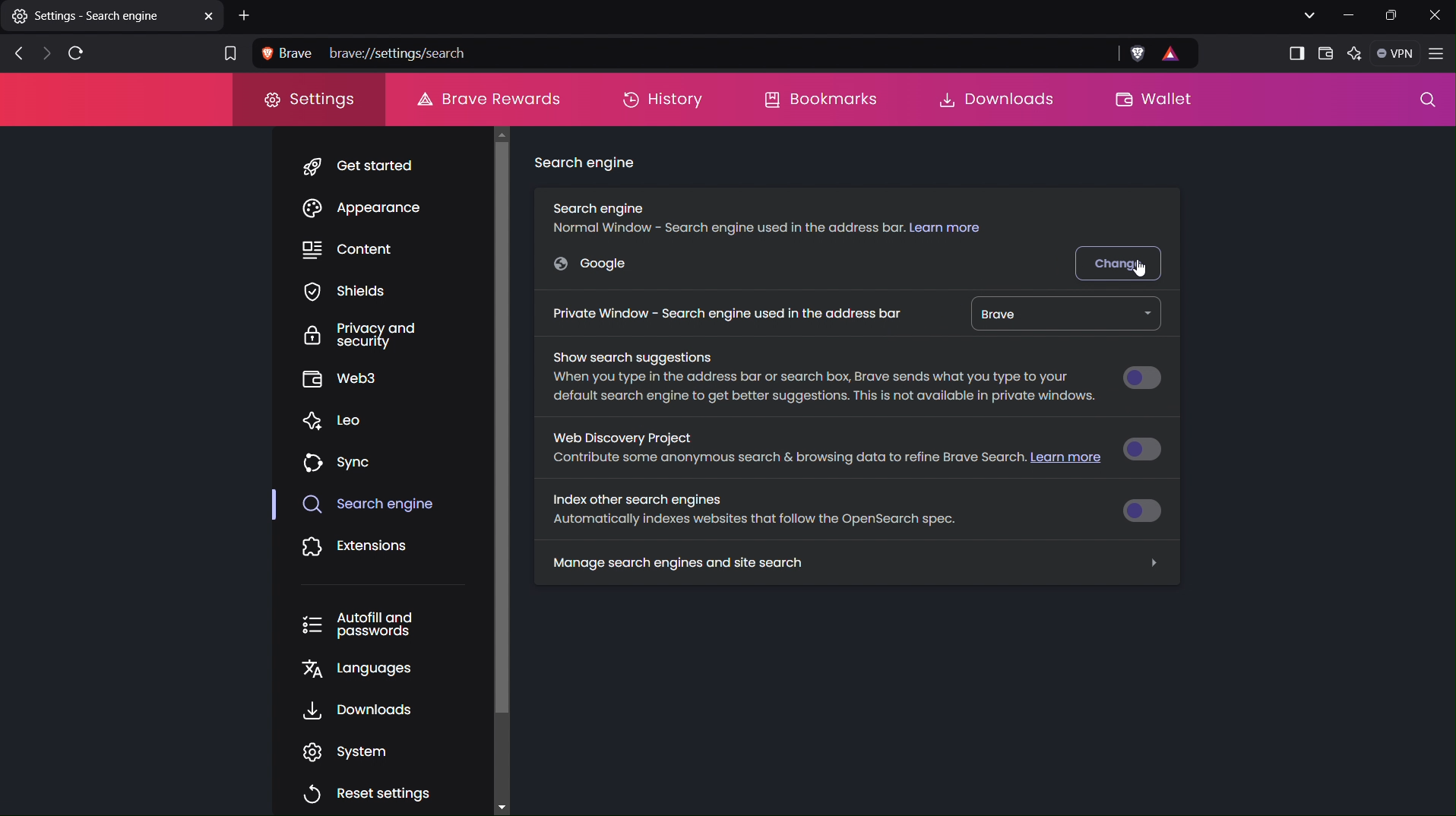 This screenshot has width=1456, height=816. What do you see at coordinates (1350, 15) in the screenshot?
I see `Minimize` at bounding box center [1350, 15].